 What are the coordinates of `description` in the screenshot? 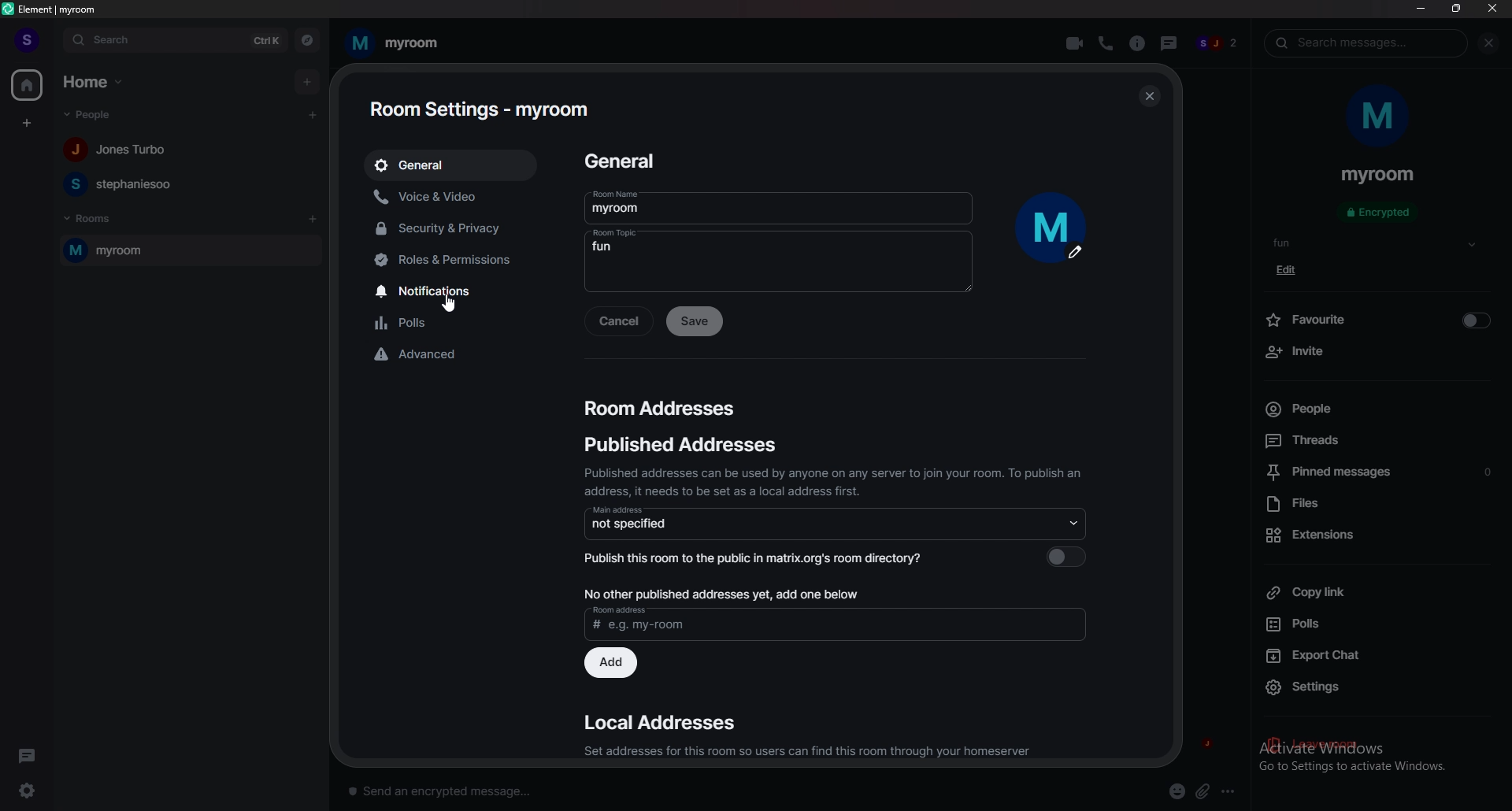 It's located at (806, 752).